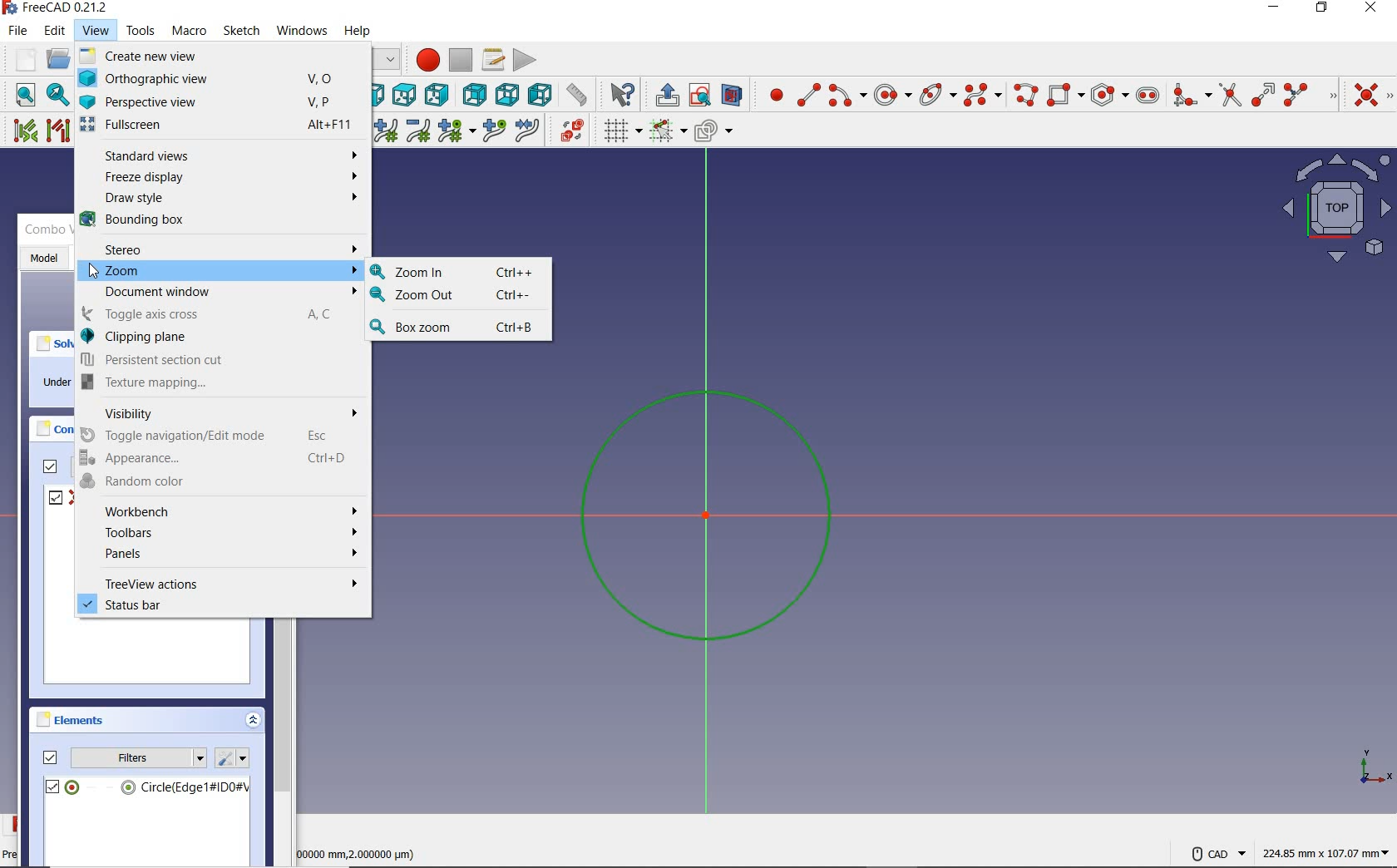 The width and height of the screenshot is (1397, 868). What do you see at coordinates (379, 93) in the screenshot?
I see `front` at bounding box center [379, 93].